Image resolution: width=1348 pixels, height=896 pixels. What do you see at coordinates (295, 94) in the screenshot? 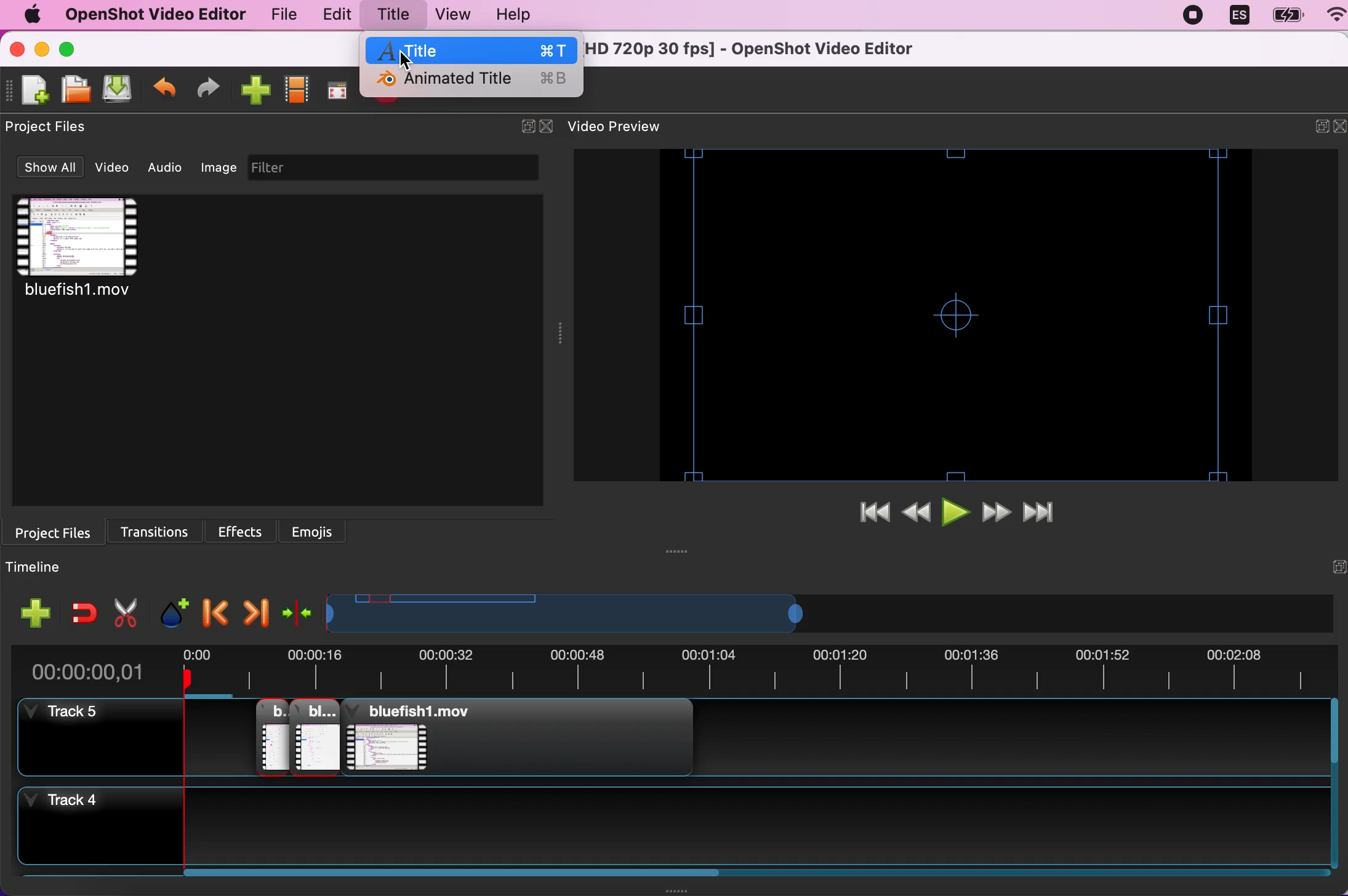
I see `show profile` at bounding box center [295, 94].